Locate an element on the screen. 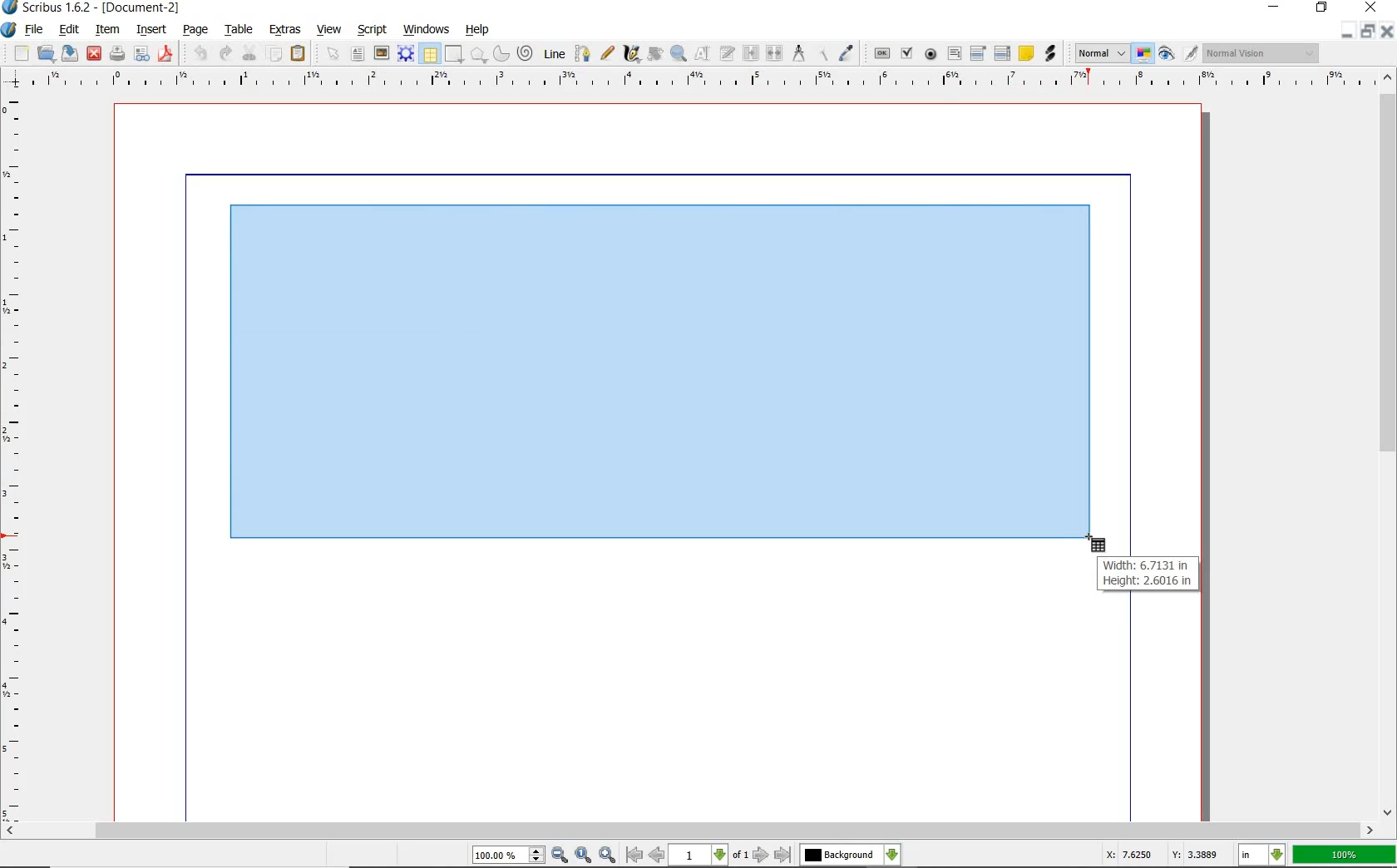  pdf text field is located at coordinates (954, 54).